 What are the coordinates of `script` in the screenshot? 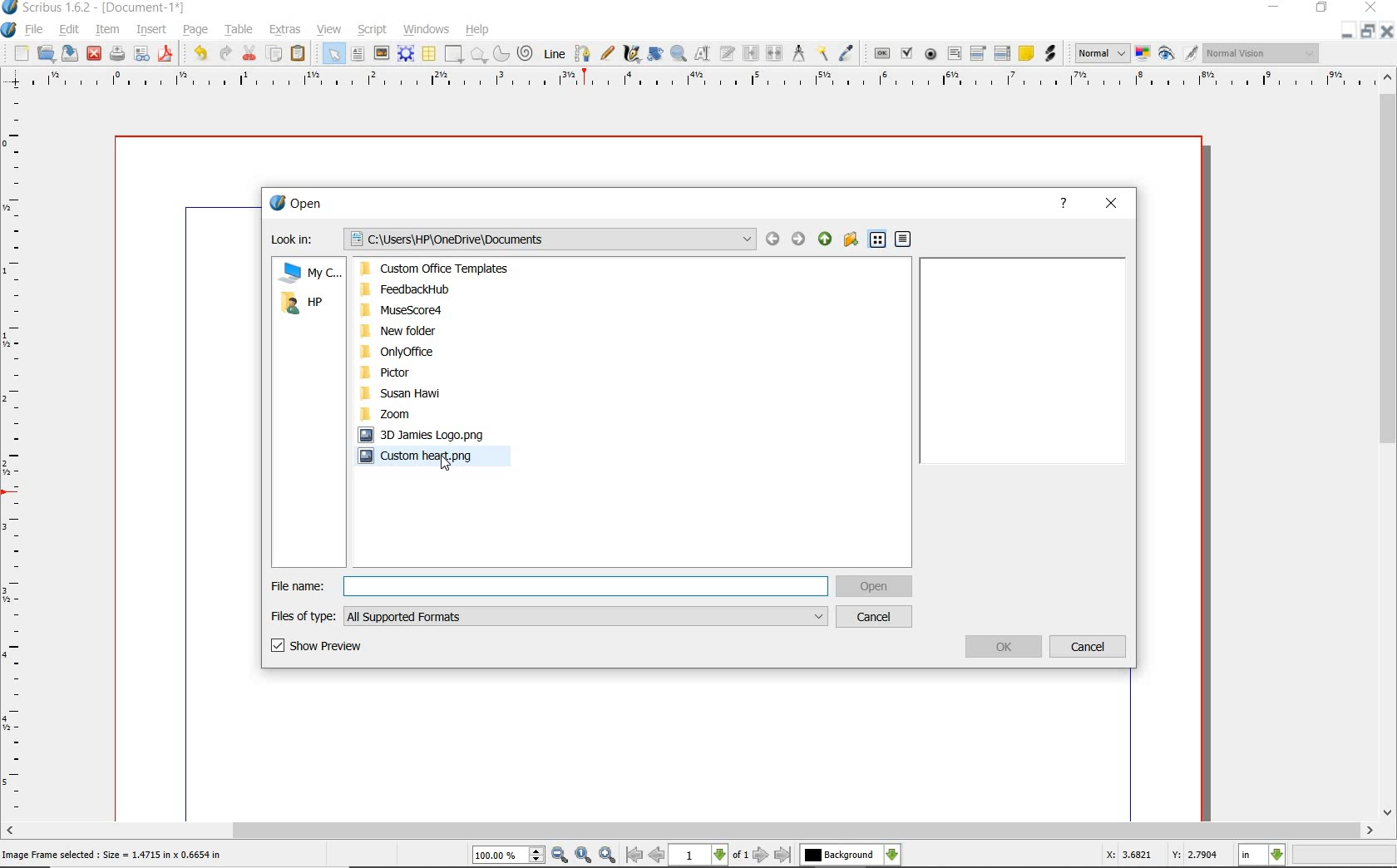 It's located at (373, 30).